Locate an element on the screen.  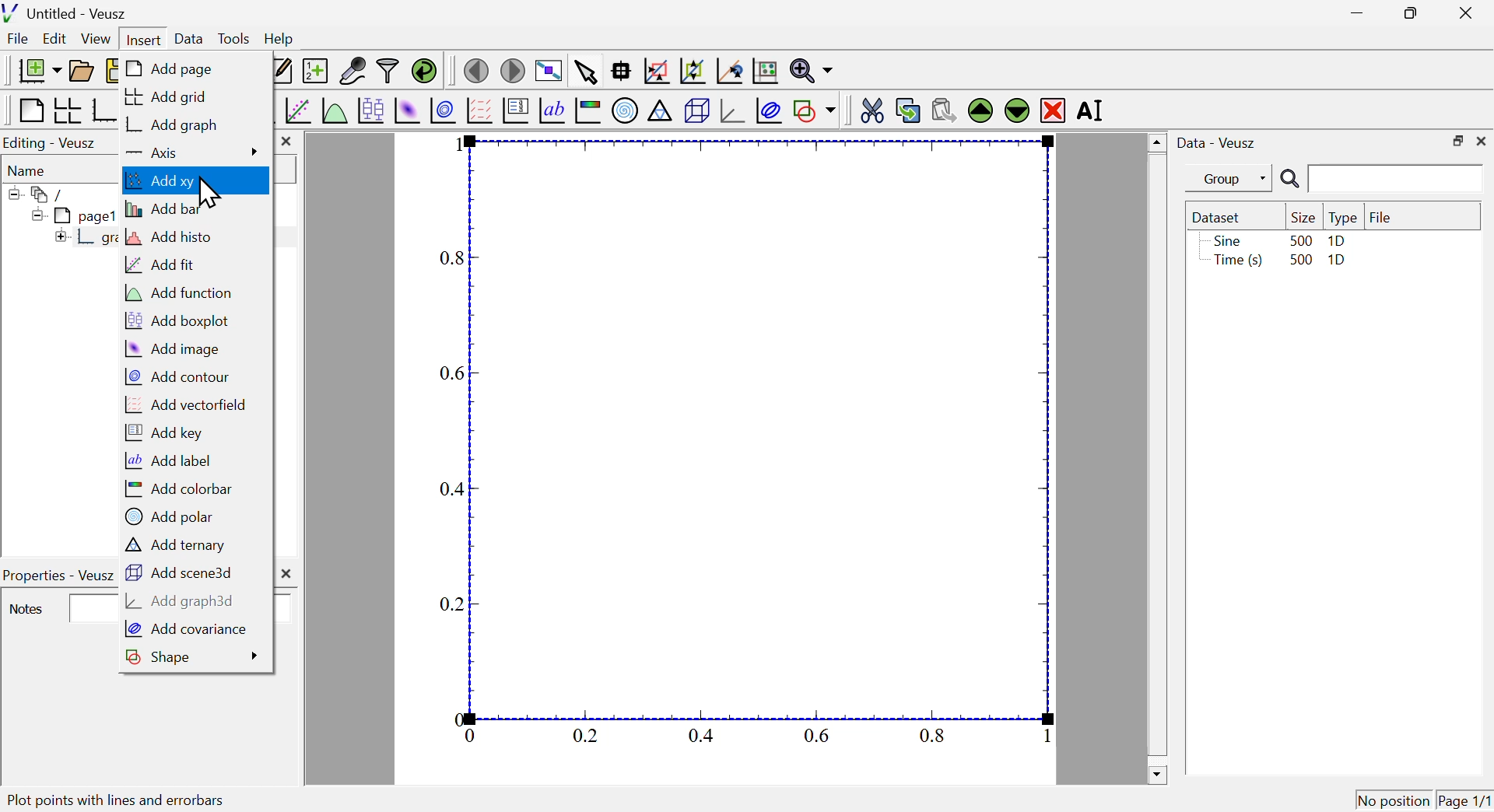
Add grid is located at coordinates (172, 96).